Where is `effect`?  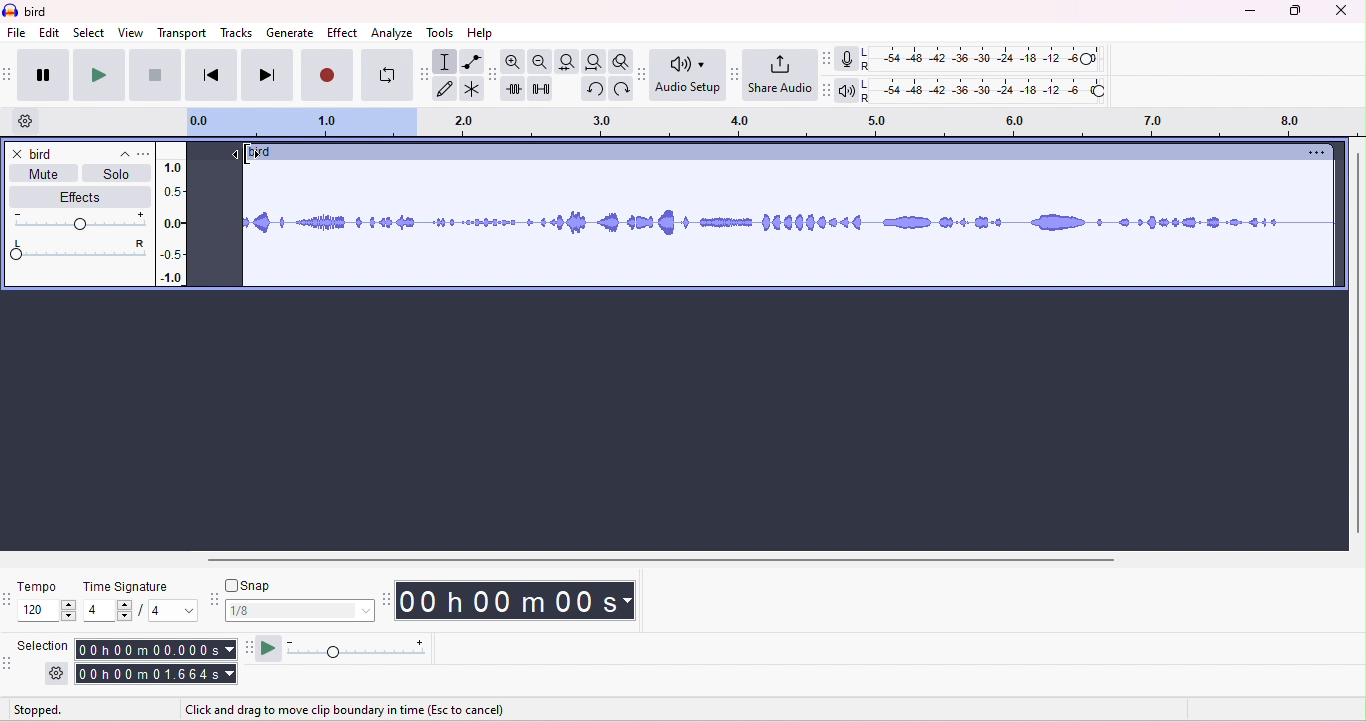 effect is located at coordinates (342, 32).